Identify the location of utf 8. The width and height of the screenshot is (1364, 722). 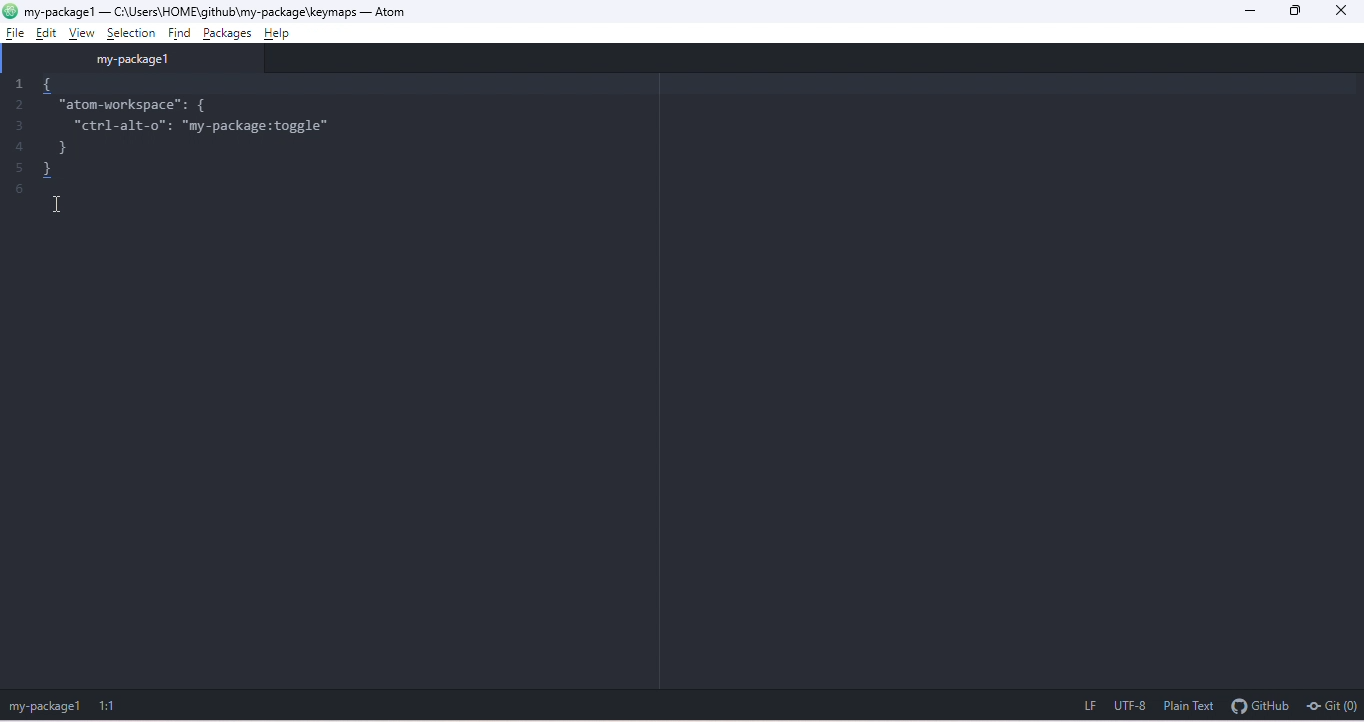
(1132, 705).